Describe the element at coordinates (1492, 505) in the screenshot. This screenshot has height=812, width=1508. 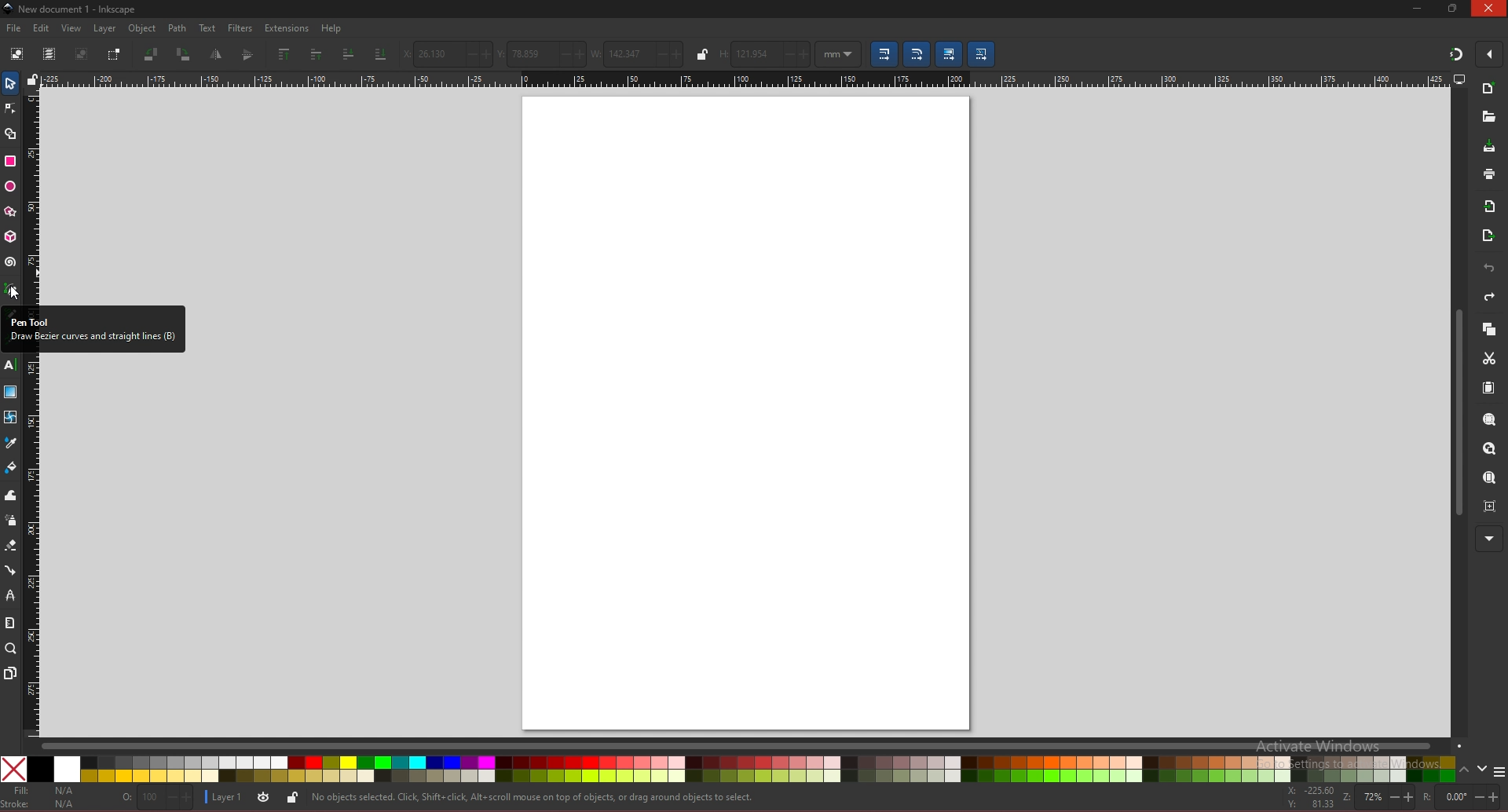
I see `zoom centre page` at that location.